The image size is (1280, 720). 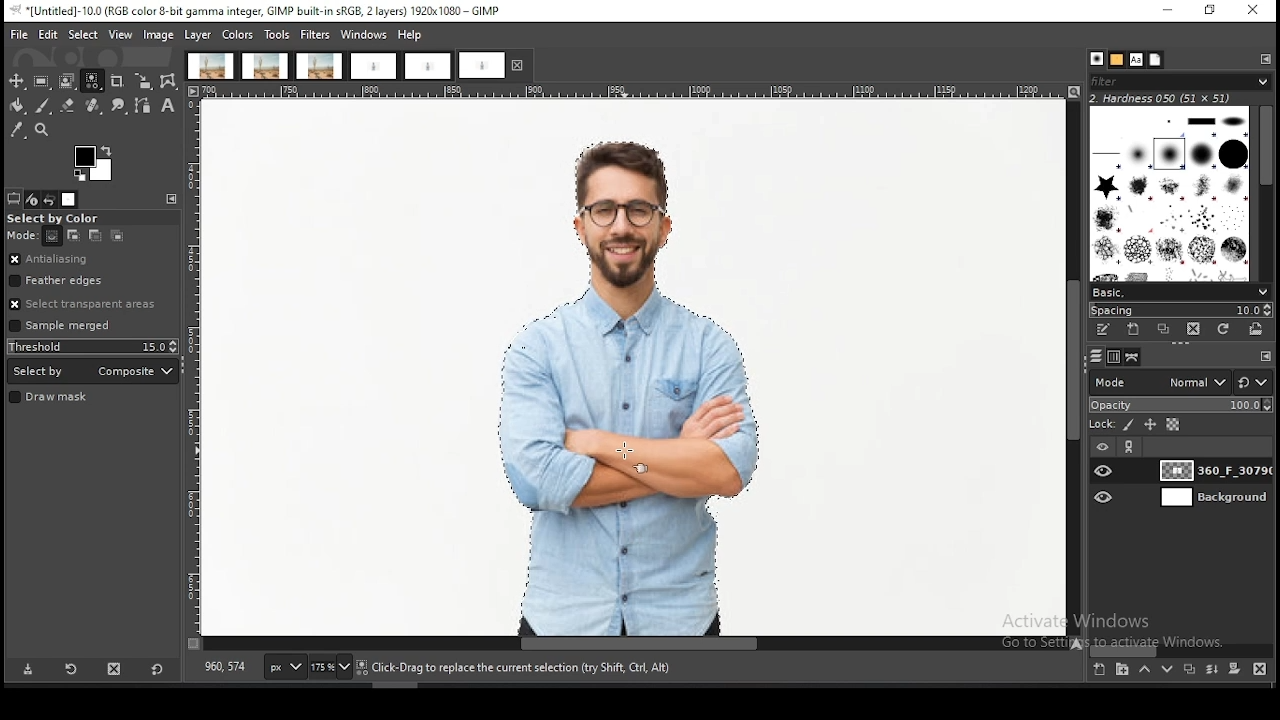 What do you see at coordinates (1165, 331) in the screenshot?
I see `duplicate brush` at bounding box center [1165, 331].